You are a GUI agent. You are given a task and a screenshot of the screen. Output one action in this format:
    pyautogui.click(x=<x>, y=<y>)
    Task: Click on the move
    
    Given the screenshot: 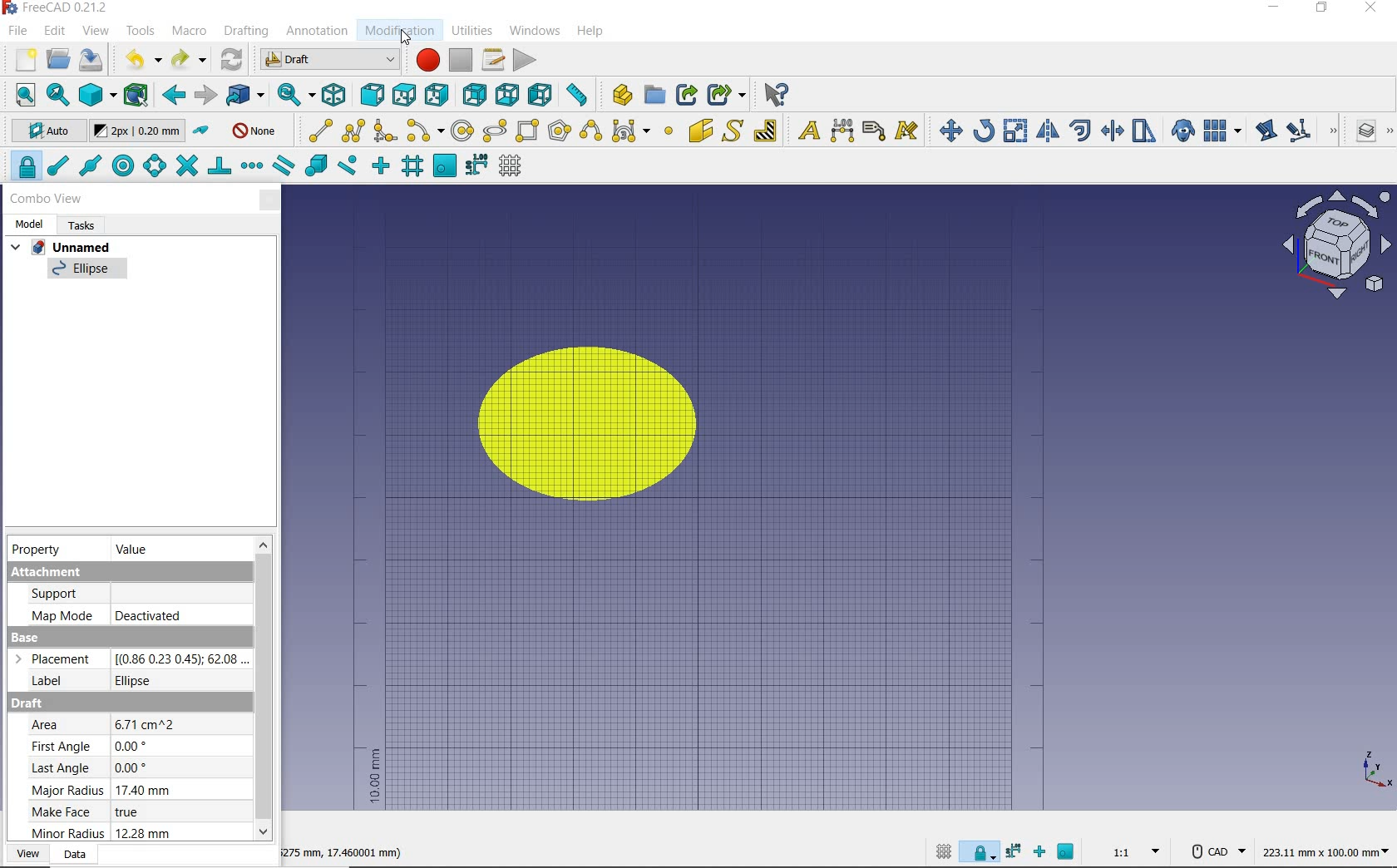 What is the action you would take?
    pyautogui.click(x=947, y=129)
    